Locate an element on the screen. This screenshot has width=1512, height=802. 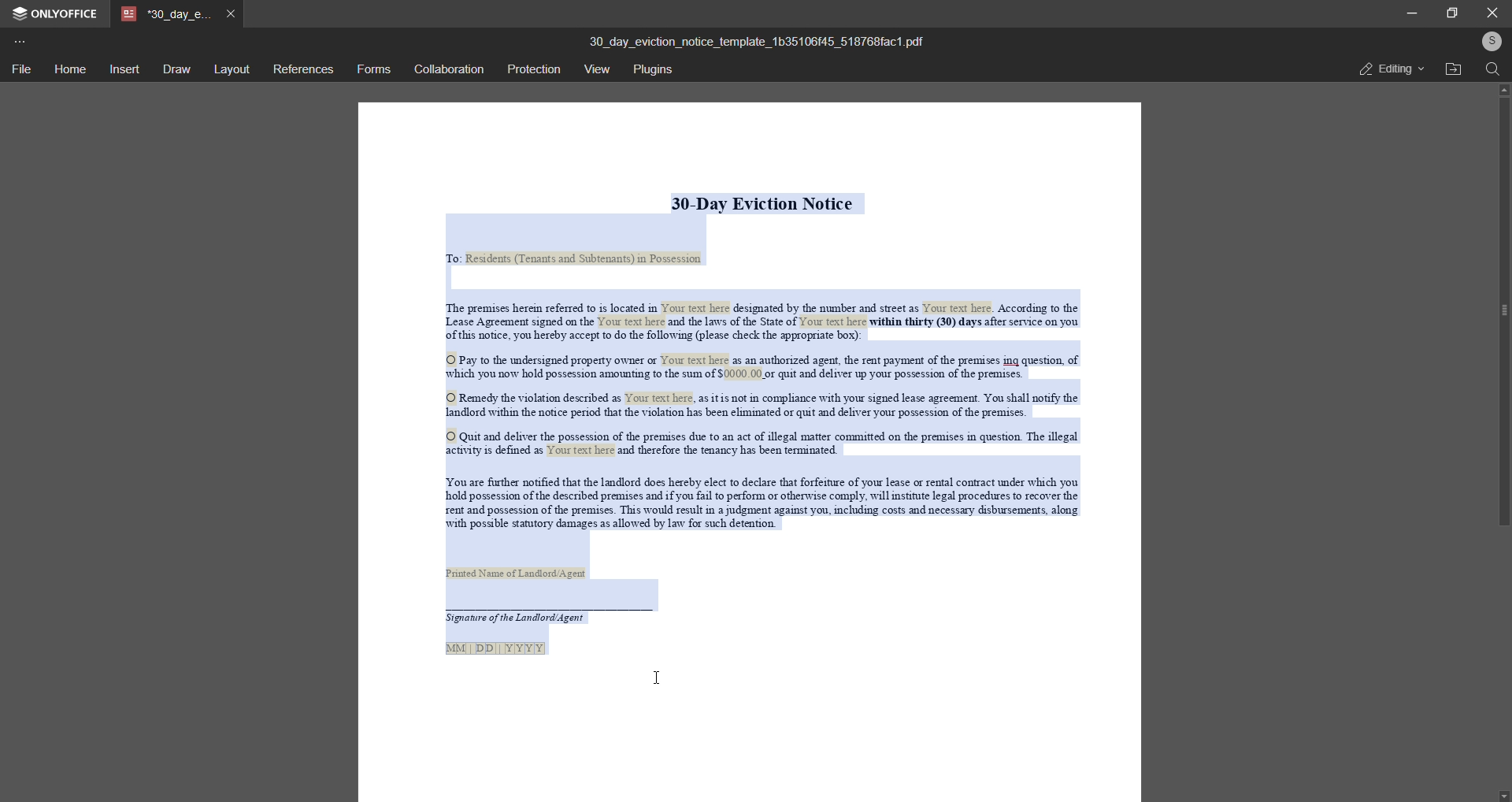
more is located at coordinates (20, 41).